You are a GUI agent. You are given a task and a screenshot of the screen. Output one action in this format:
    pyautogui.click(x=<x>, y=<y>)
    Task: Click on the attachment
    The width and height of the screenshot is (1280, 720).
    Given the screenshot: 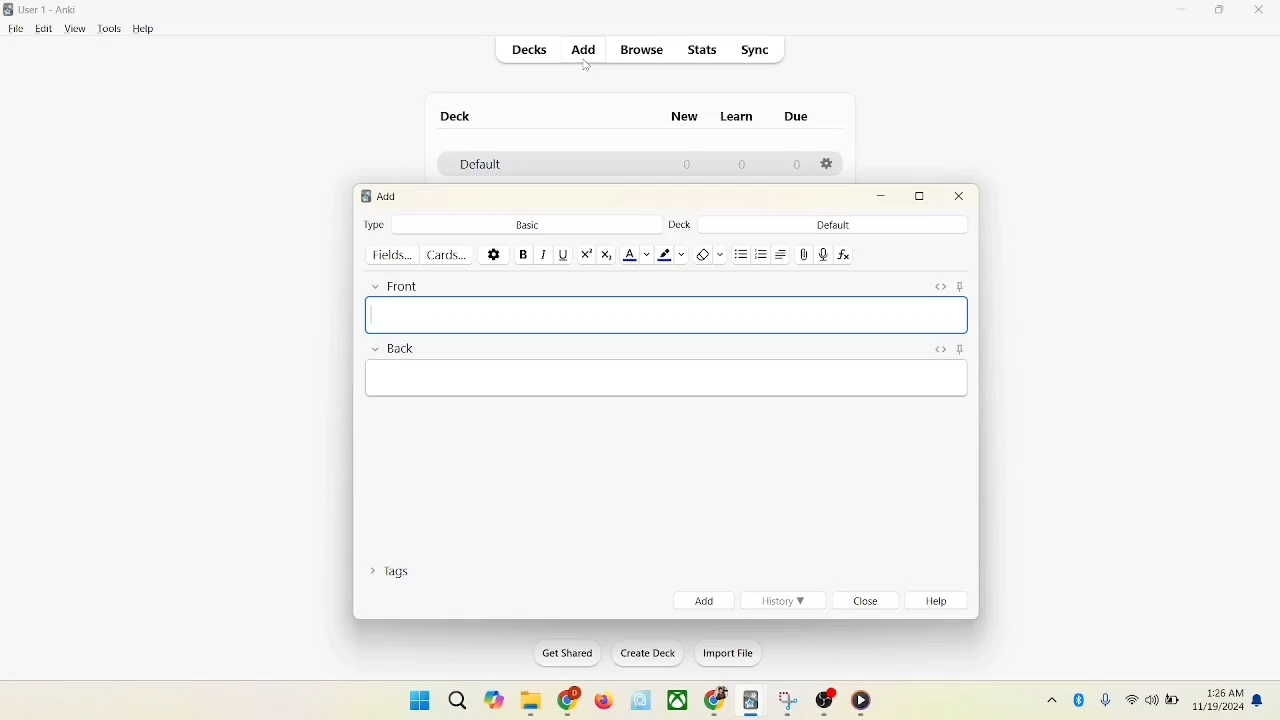 What is the action you would take?
    pyautogui.click(x=804, y=255)
    